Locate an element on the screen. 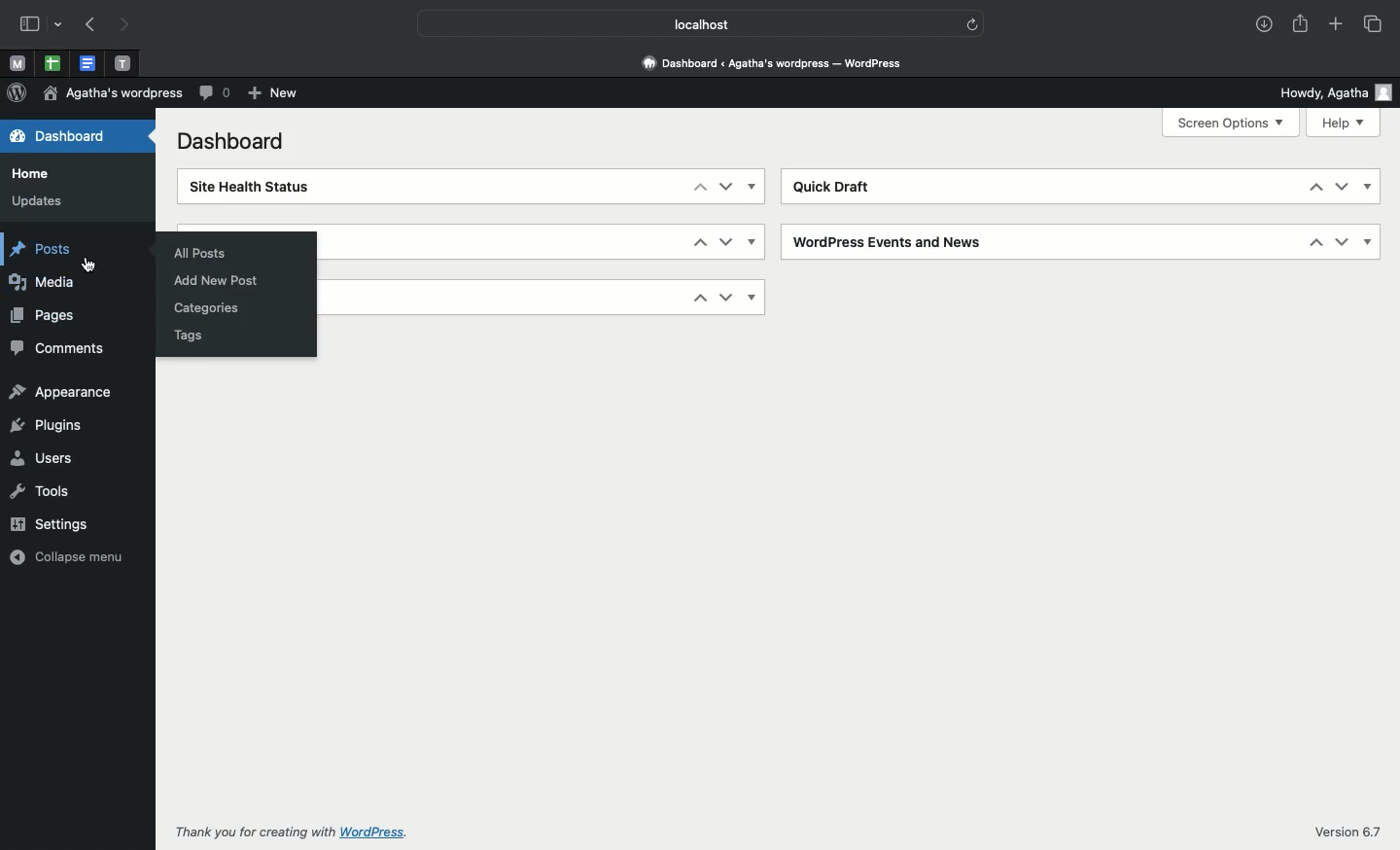  Show is located at coordinates (1367, 187).